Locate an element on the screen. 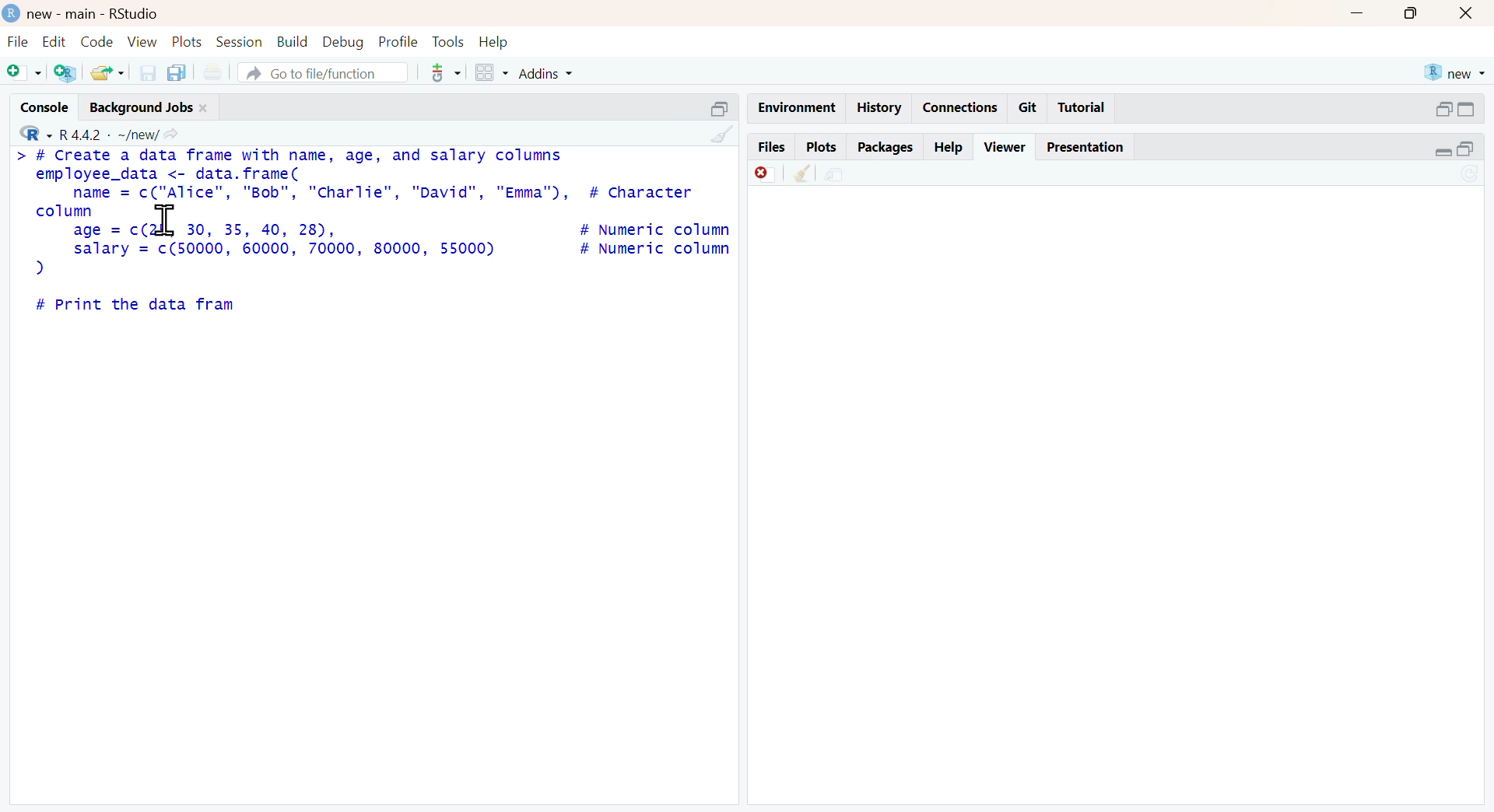 The height and width of the screenshot is (812, 1494). print current document is located at coordinates (220, 72).